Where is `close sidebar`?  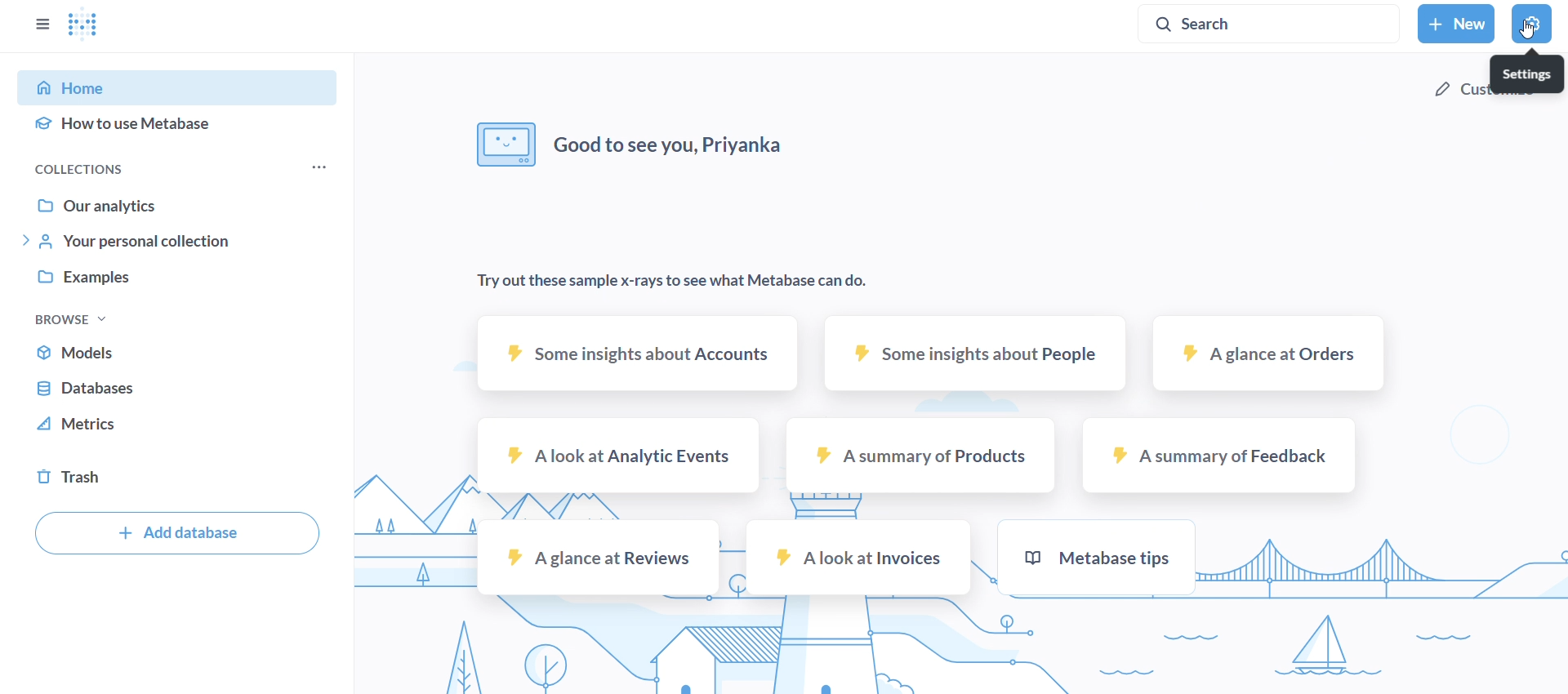
close sidebar is located at coordinates (44, 24).